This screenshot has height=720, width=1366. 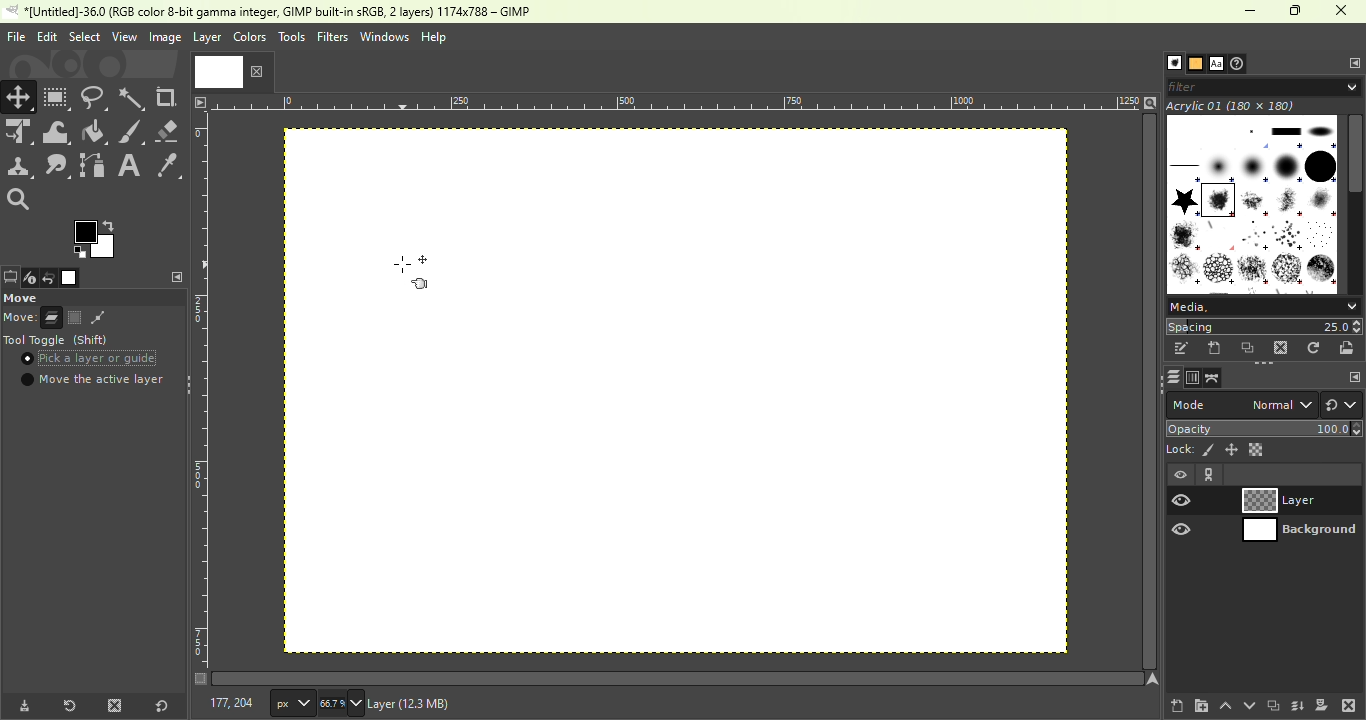 I want to click on Opacity, so click(x=1266, y=428).